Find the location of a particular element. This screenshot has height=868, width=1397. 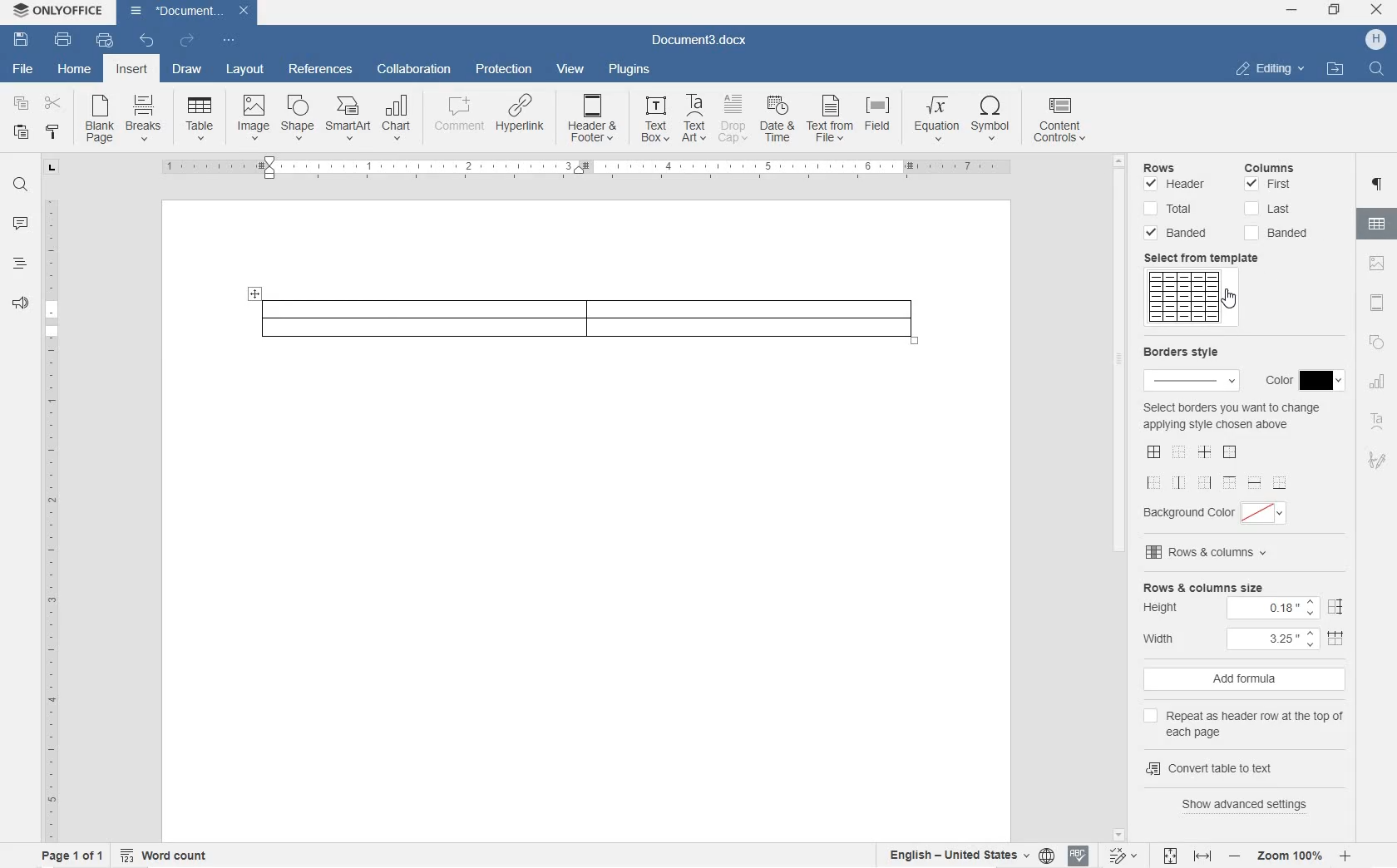

editing is located at coordinates (1271, 68).